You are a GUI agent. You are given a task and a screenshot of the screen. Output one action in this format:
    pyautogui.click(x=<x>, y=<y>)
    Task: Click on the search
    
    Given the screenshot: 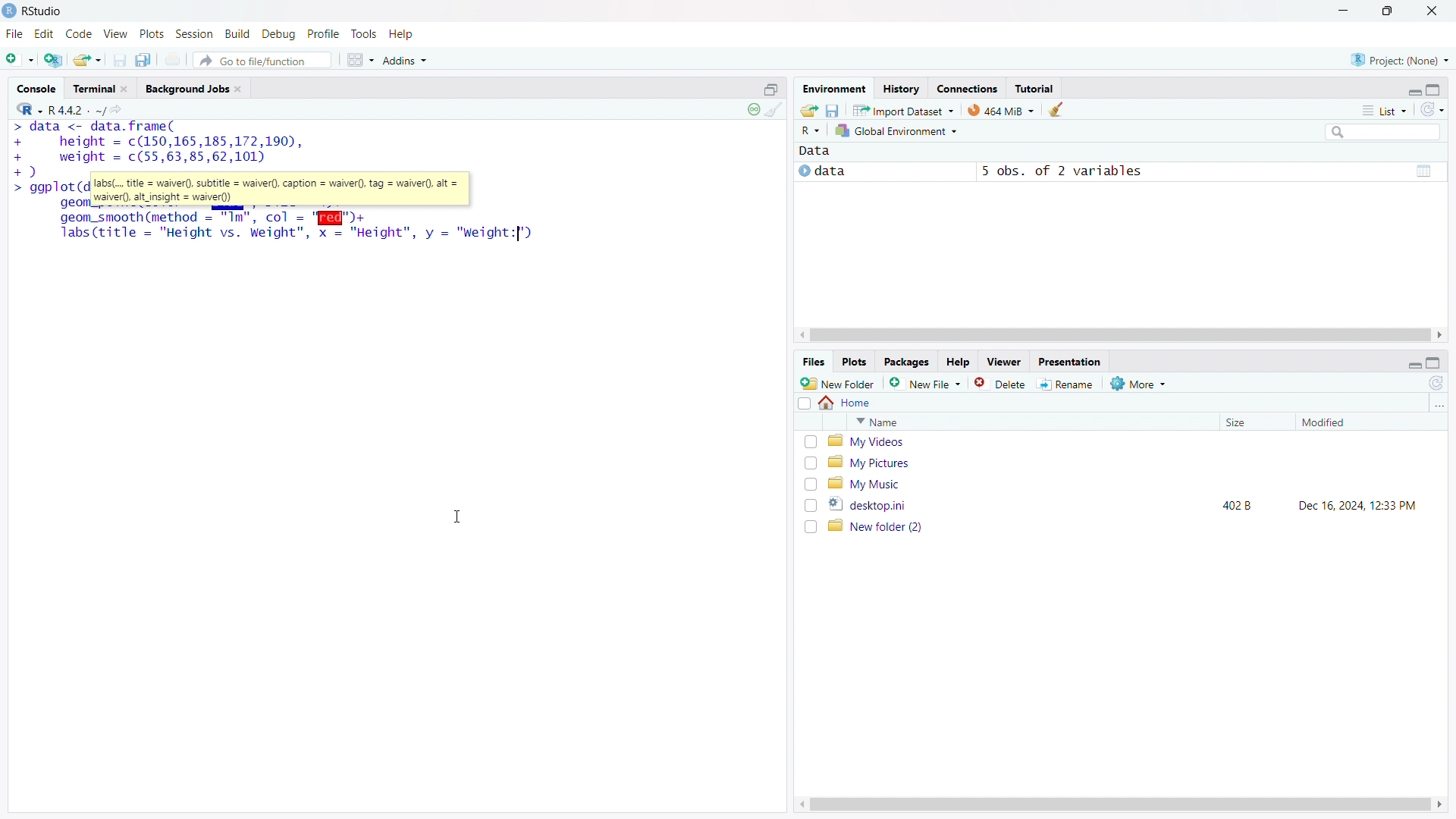 What is the action you would take?
    pyautogui.click(x=1381, y=131)
    